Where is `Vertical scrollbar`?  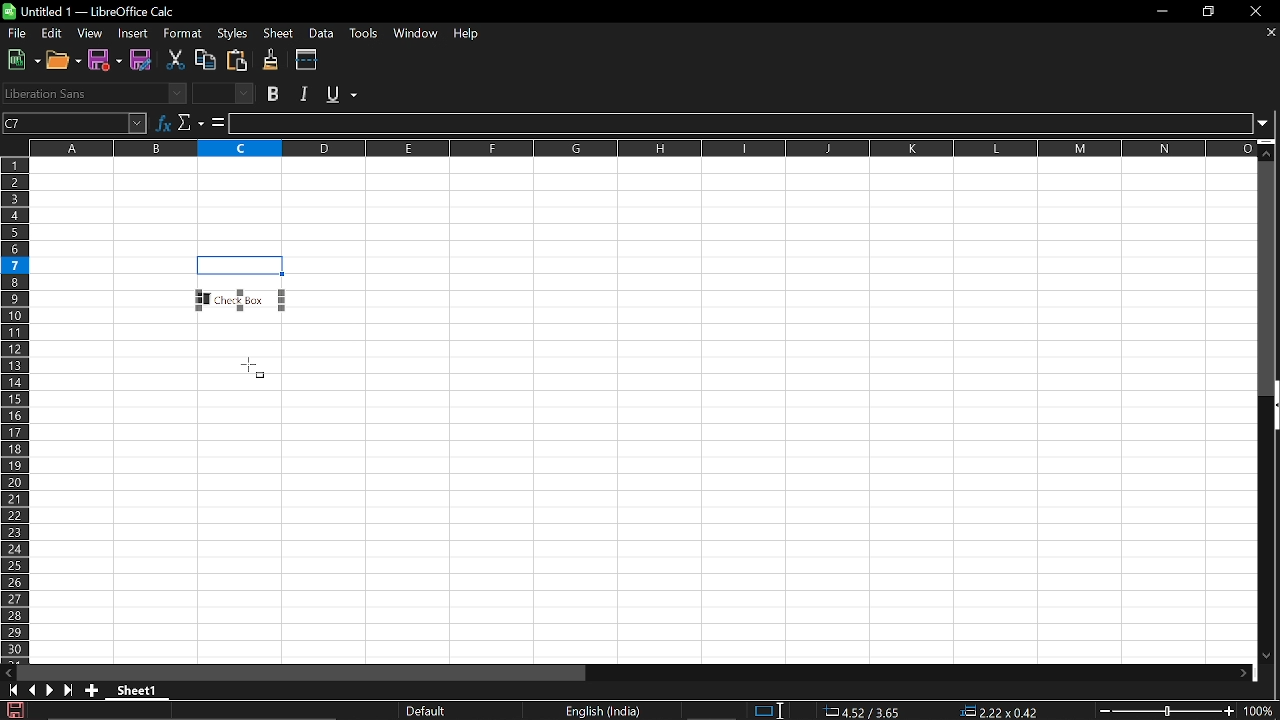 Vertical scrollbar is located at coordinates (1269, 278).